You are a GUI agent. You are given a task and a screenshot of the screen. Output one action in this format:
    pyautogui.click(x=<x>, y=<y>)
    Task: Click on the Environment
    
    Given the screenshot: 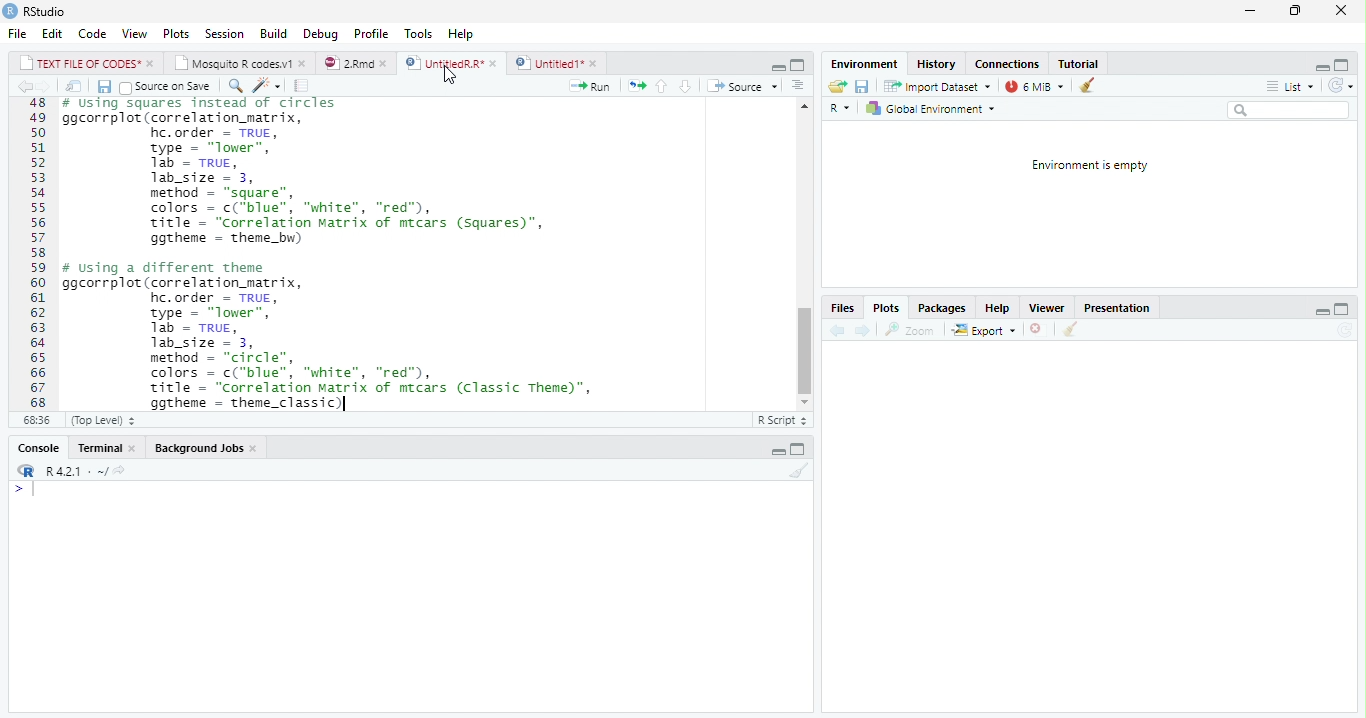 What is the action you would take?
    pyautogui.click(x=864, y=64)
    